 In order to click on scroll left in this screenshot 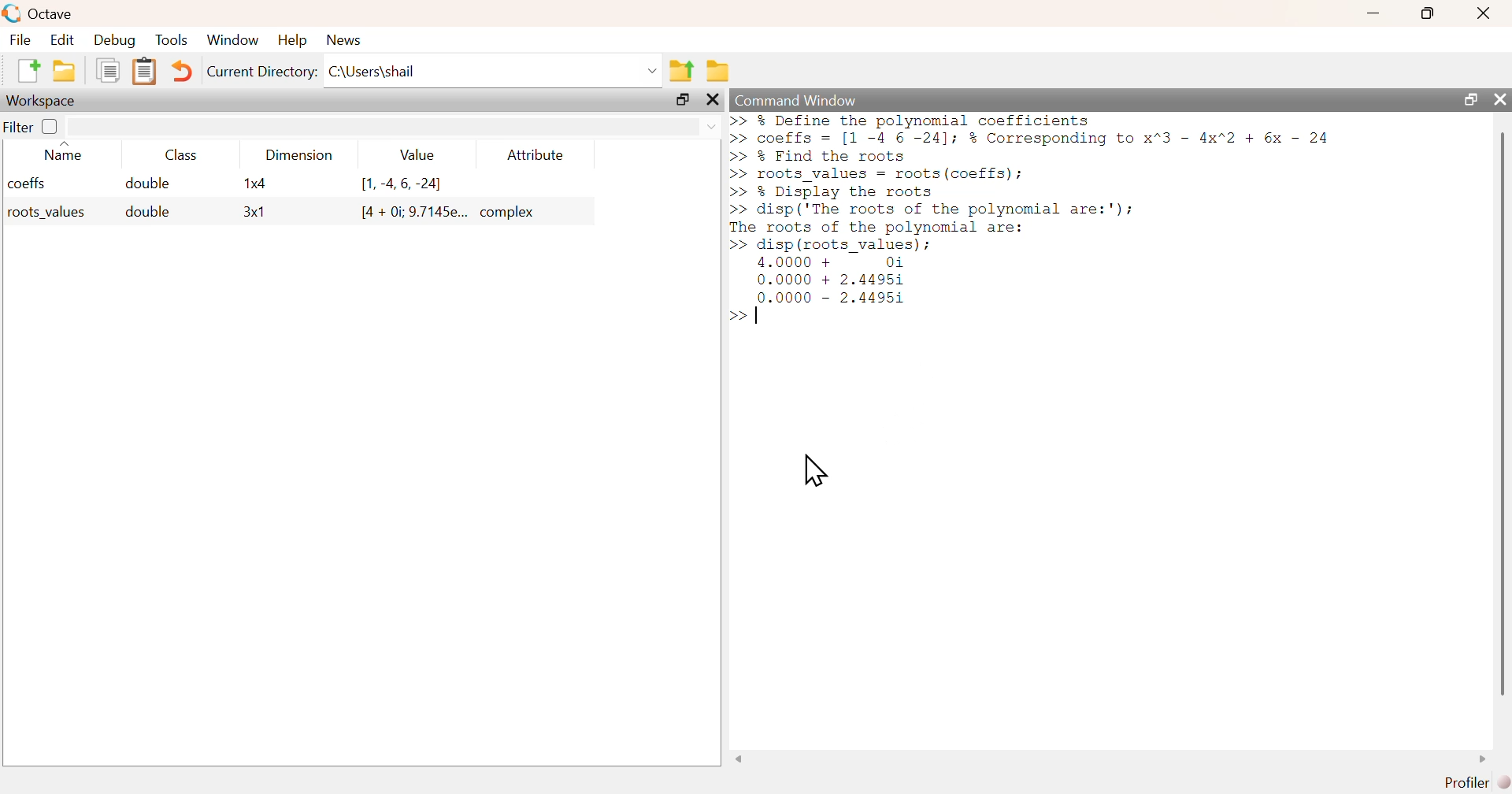, I will do `click(739, 759)`.